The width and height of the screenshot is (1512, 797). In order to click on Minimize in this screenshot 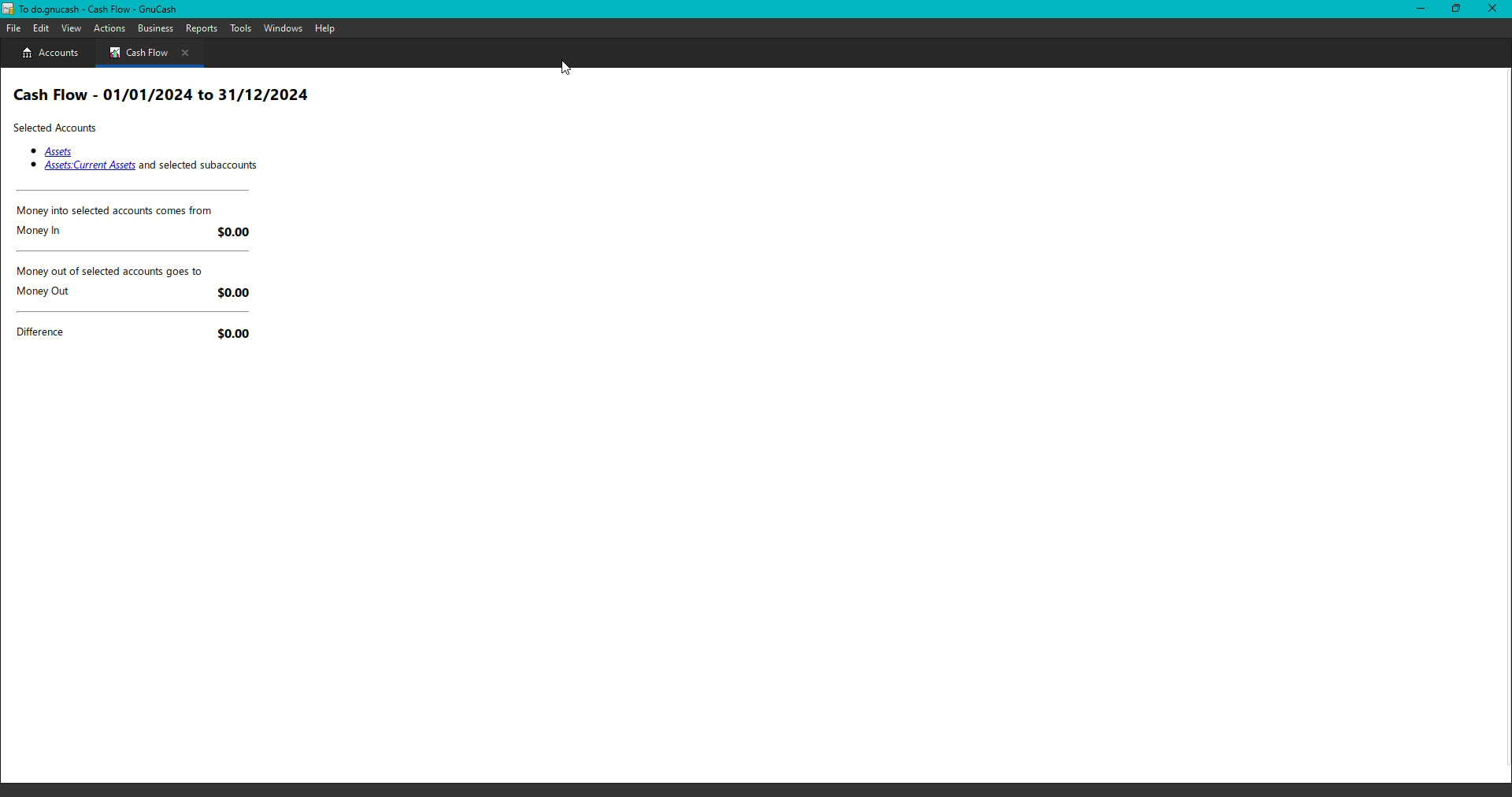, I will do `click(1454, 11)`.